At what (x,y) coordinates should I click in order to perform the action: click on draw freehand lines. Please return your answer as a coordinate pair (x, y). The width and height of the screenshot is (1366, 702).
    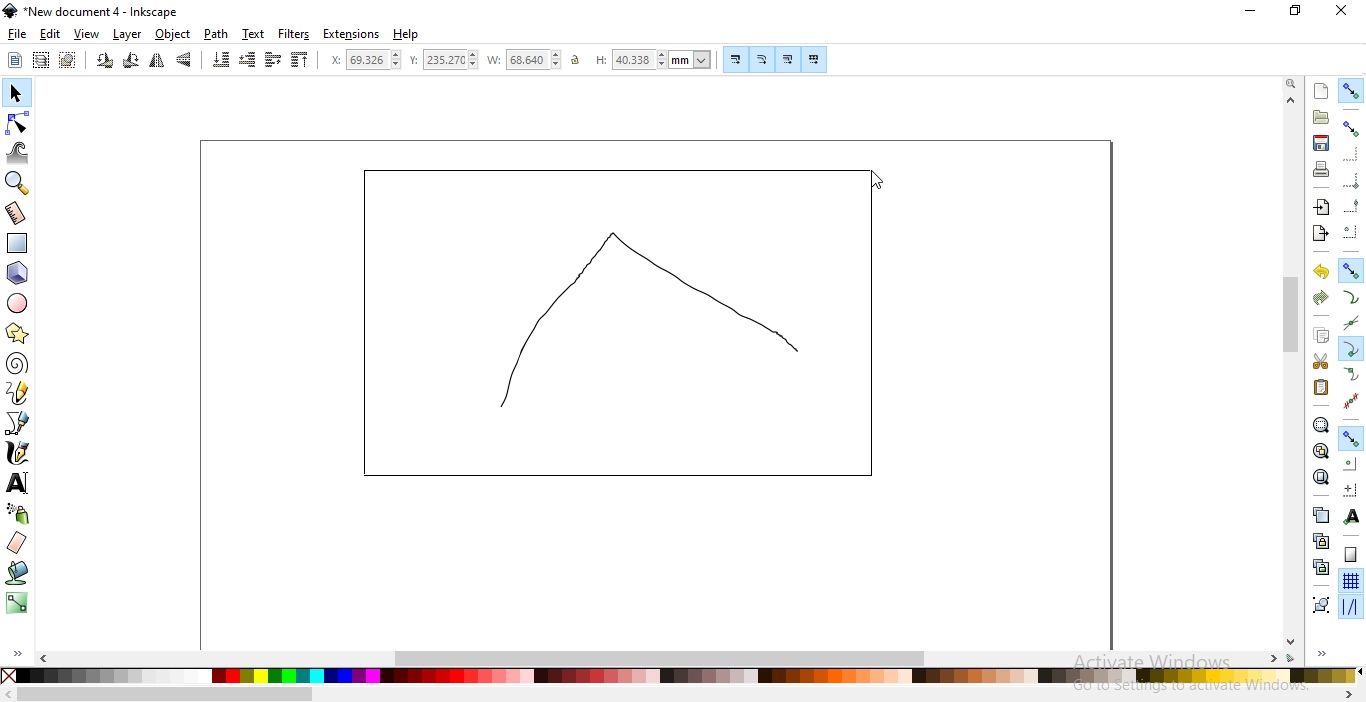
    Looking at the image, I should click on (18, 392).